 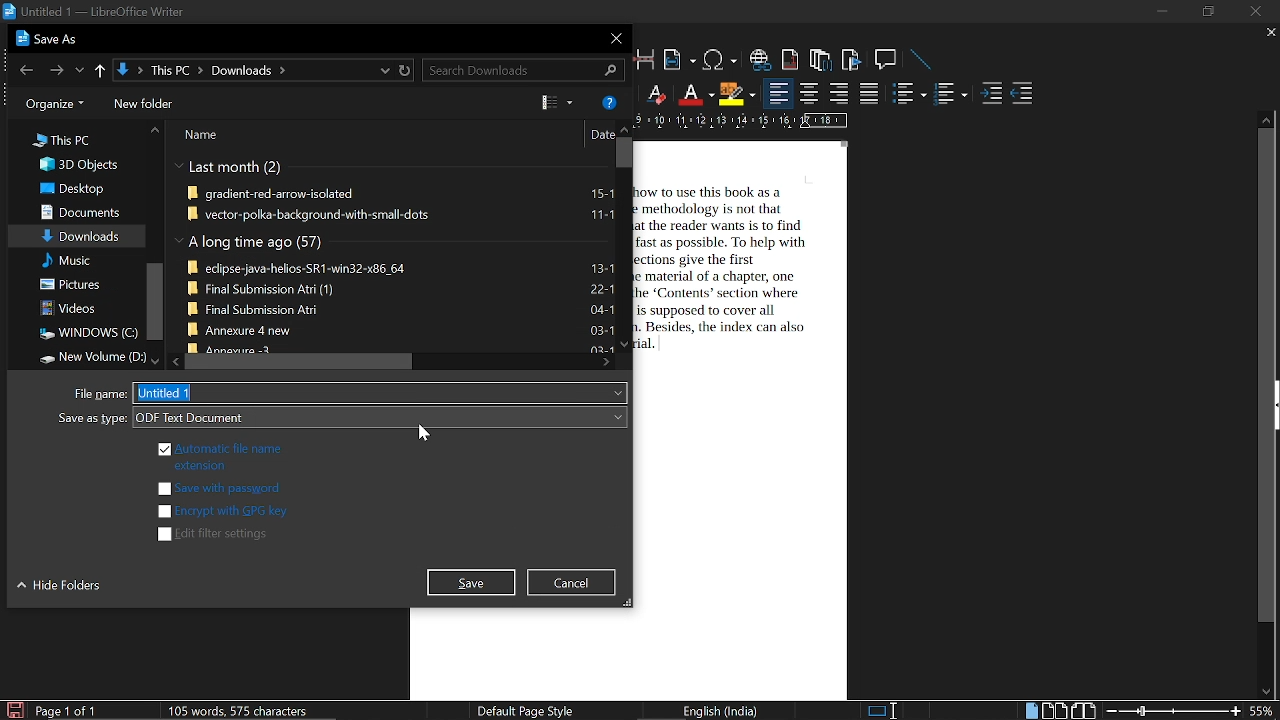 What do you see at coordinates (23, 69) in the screenshot?
I see `previous` at bounding box center [23, 69].